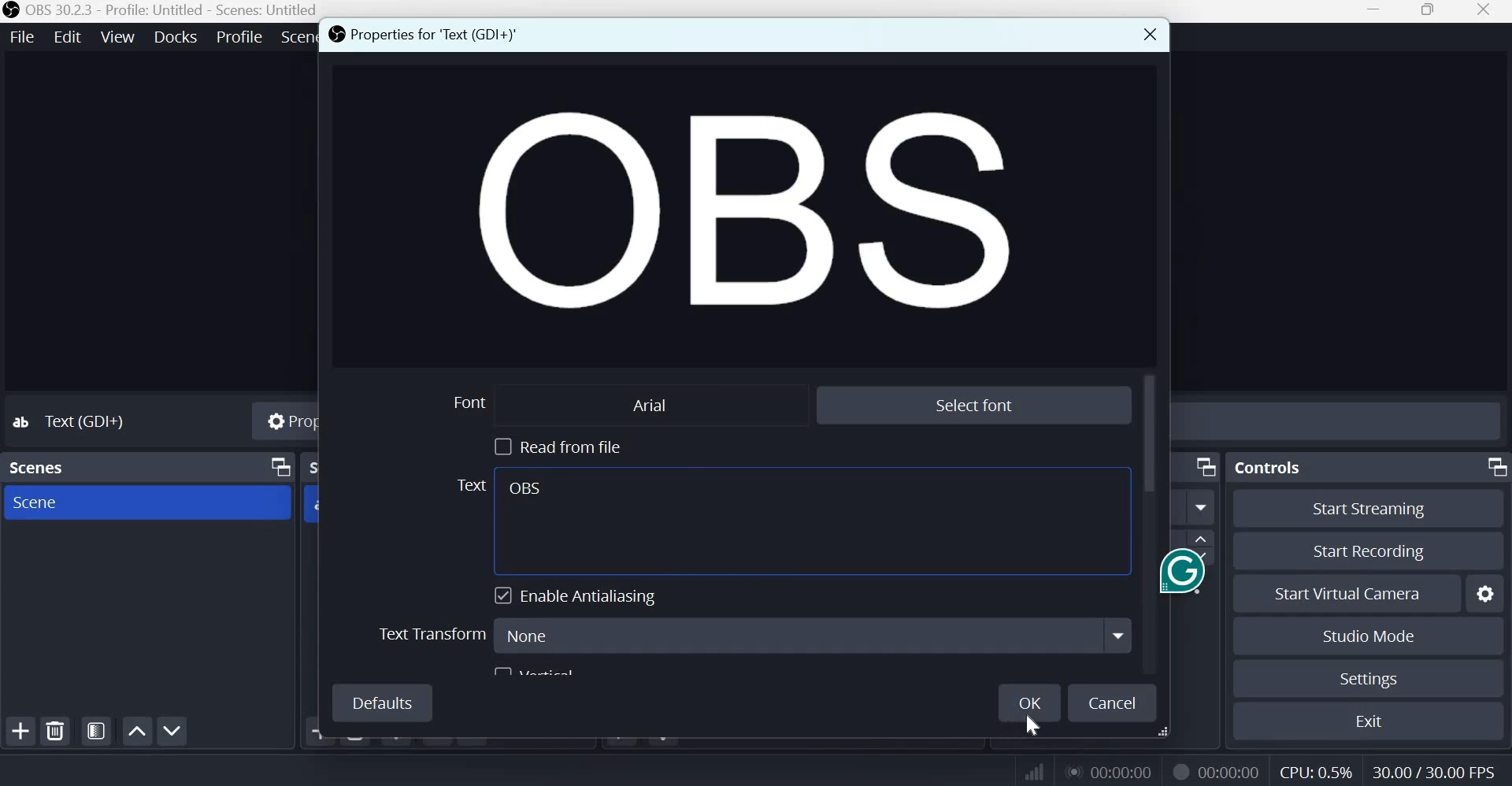 Image resolution: width=1512 pixels, height=786 pixels. Describe the element at coordinates (239, 37) in the screenshot. I see `Profile` at that location.